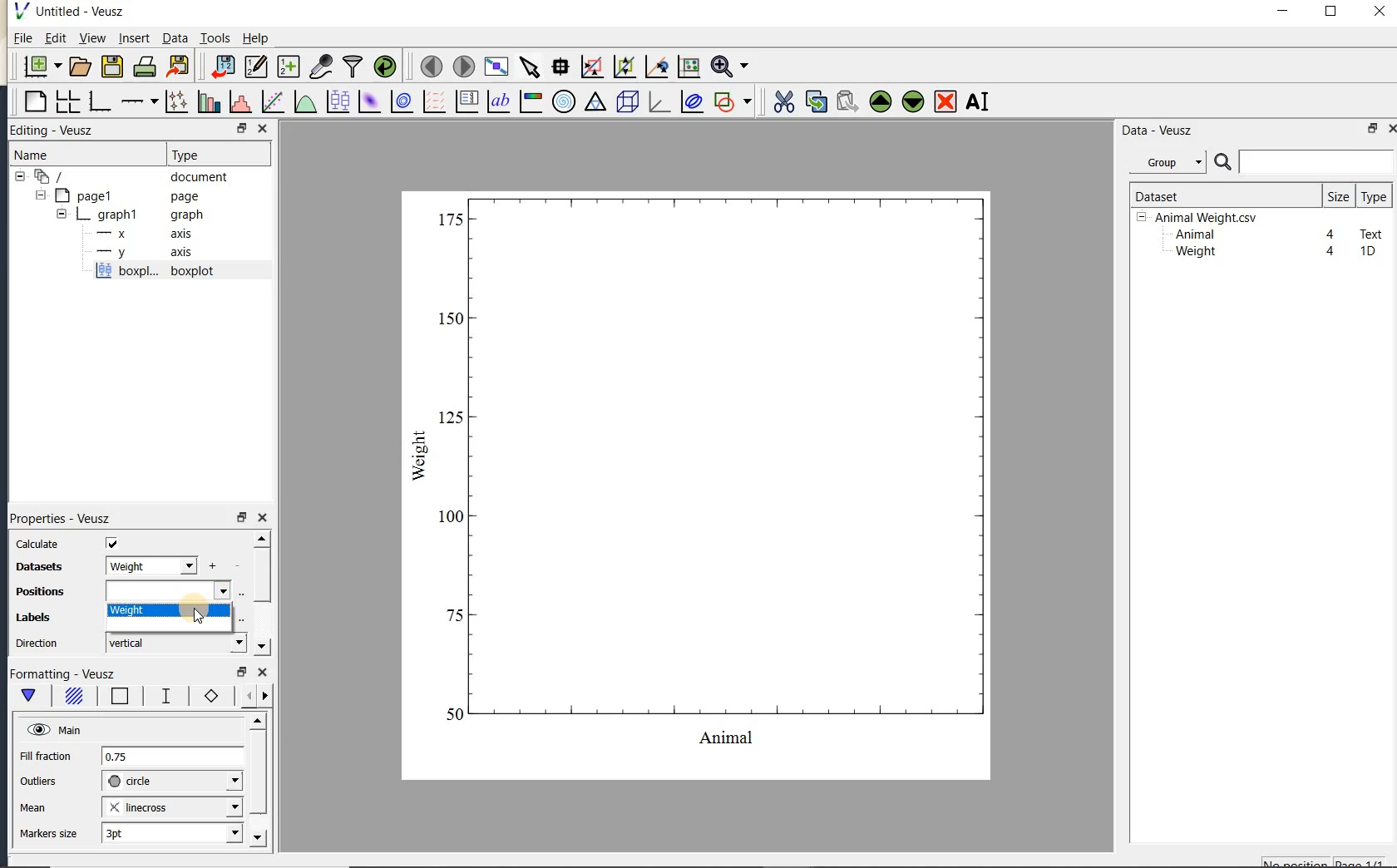  What do you see at coordinates (36, 618) in the screenshot?
I see `Labels` at bounding box center [36, 618].